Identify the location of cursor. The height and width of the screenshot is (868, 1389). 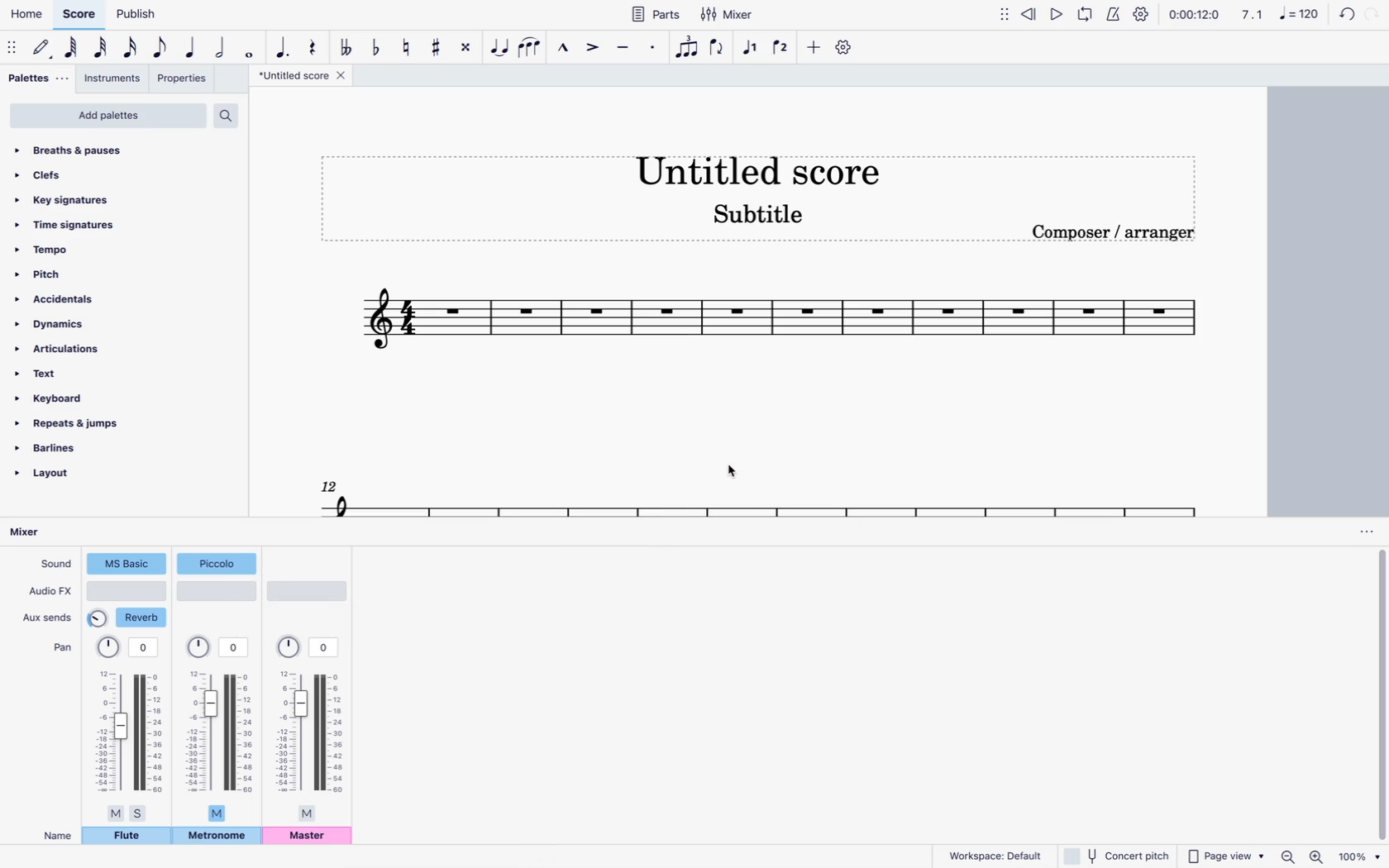
(740, 469).